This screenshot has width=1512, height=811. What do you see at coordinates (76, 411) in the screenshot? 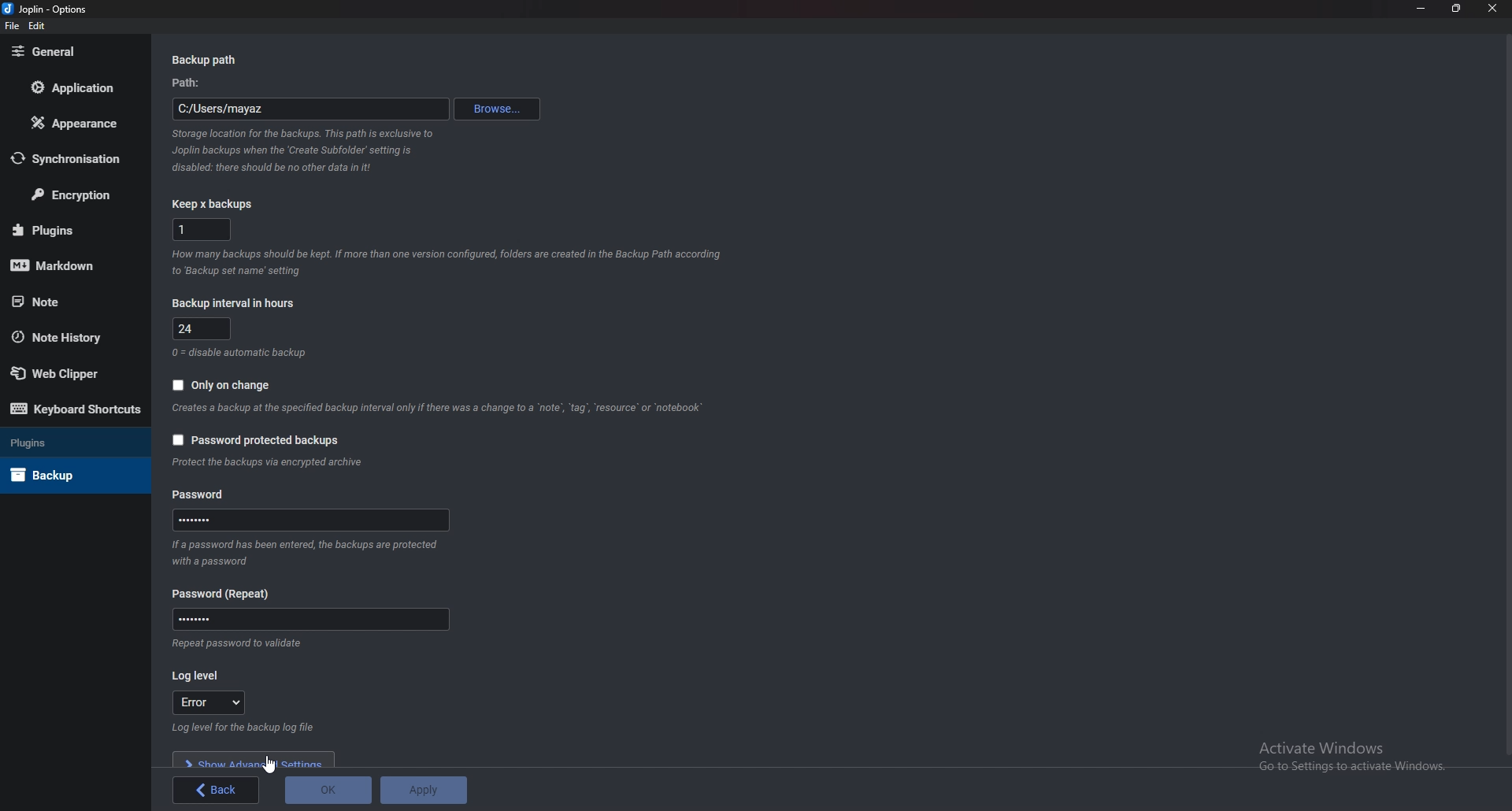
I see `Keyboard shortcuts` at bounding box center [76, 411].